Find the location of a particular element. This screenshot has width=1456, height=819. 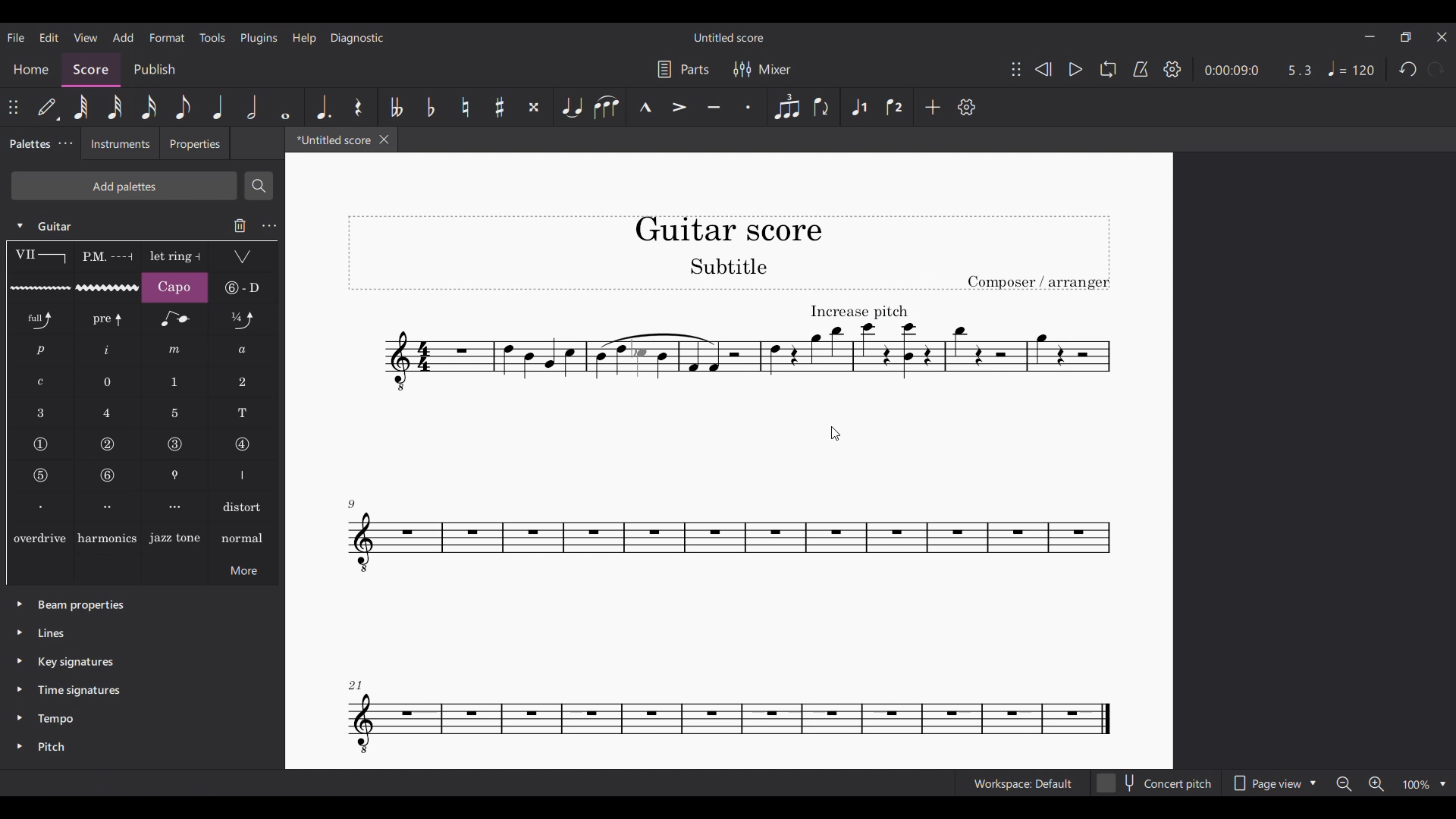

RH guitar fingering a is located at coordinates (243, 350).